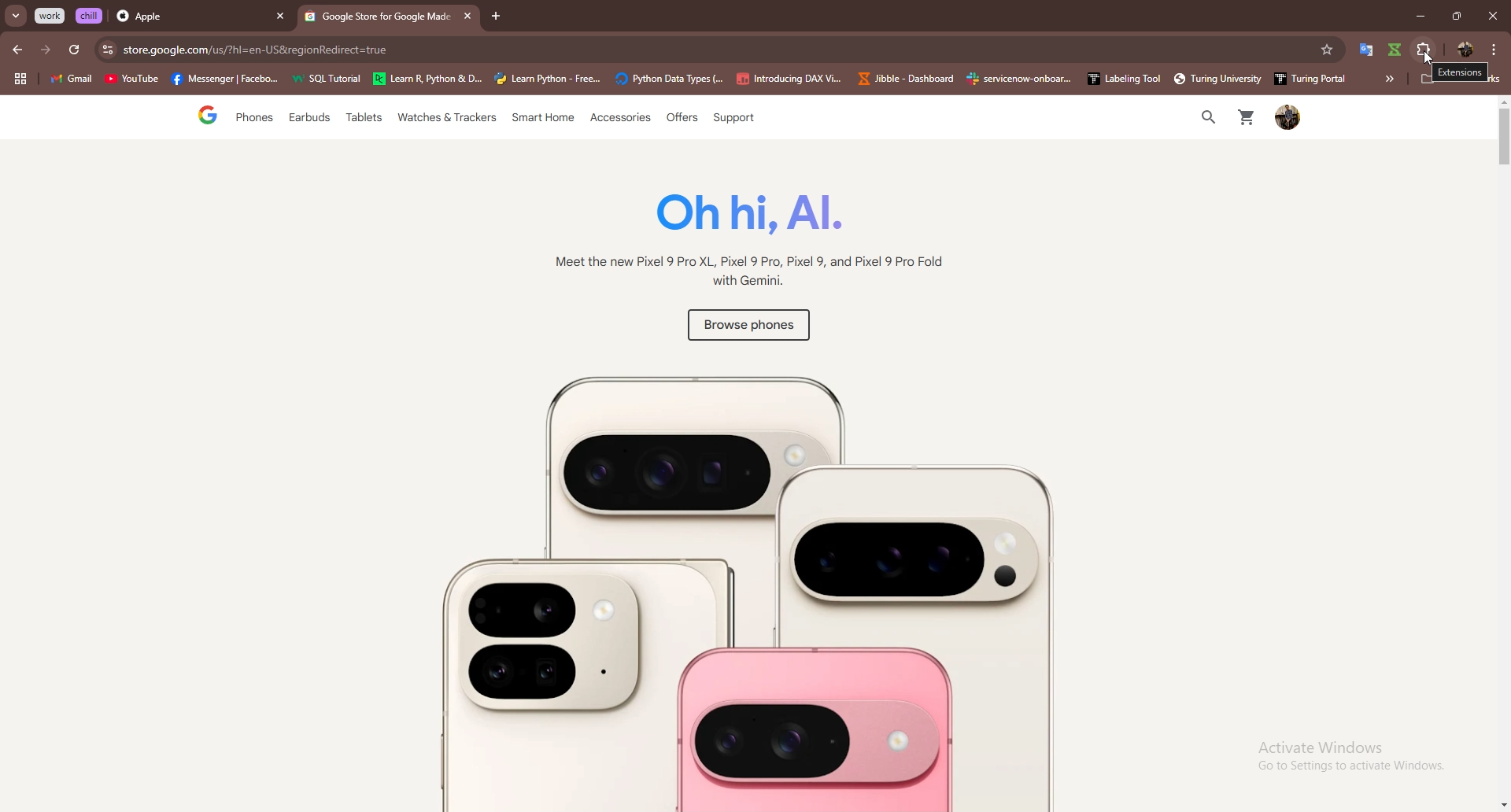  What do you see at coordinates (187, 17) in the screenshot?
I see `Apple` at bounding box center [187, 17].